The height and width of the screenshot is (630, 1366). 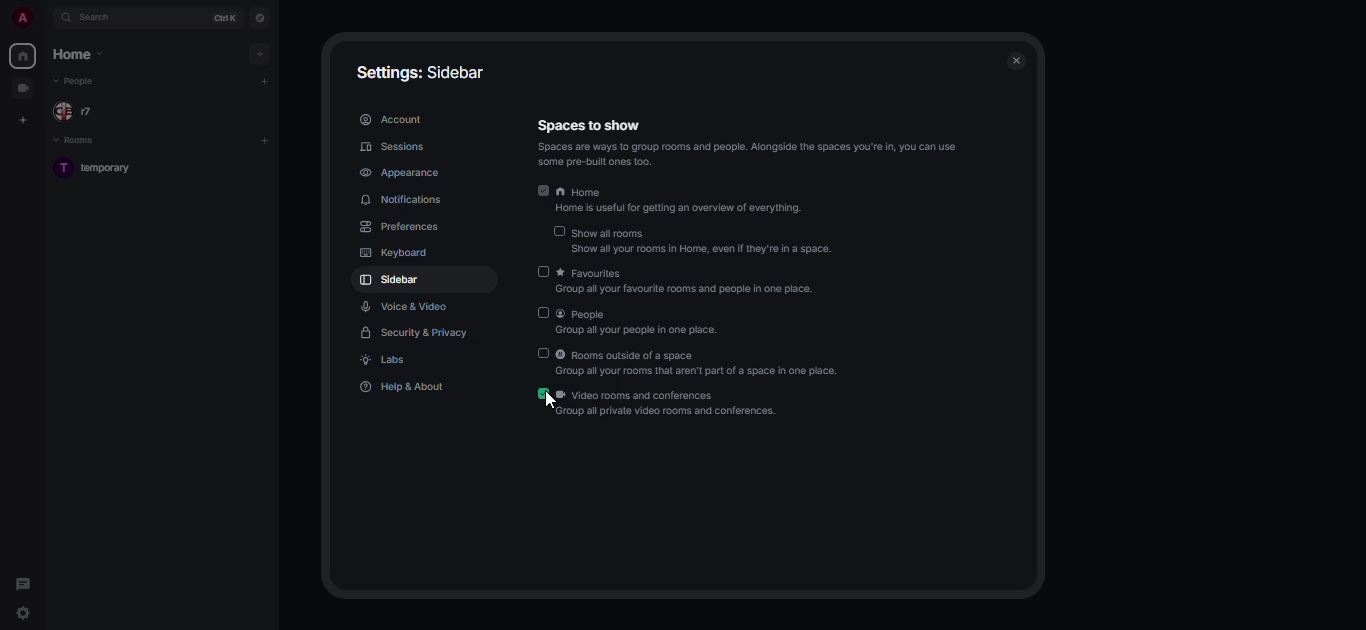 I want to click on video group, so click(x=24, y=87).